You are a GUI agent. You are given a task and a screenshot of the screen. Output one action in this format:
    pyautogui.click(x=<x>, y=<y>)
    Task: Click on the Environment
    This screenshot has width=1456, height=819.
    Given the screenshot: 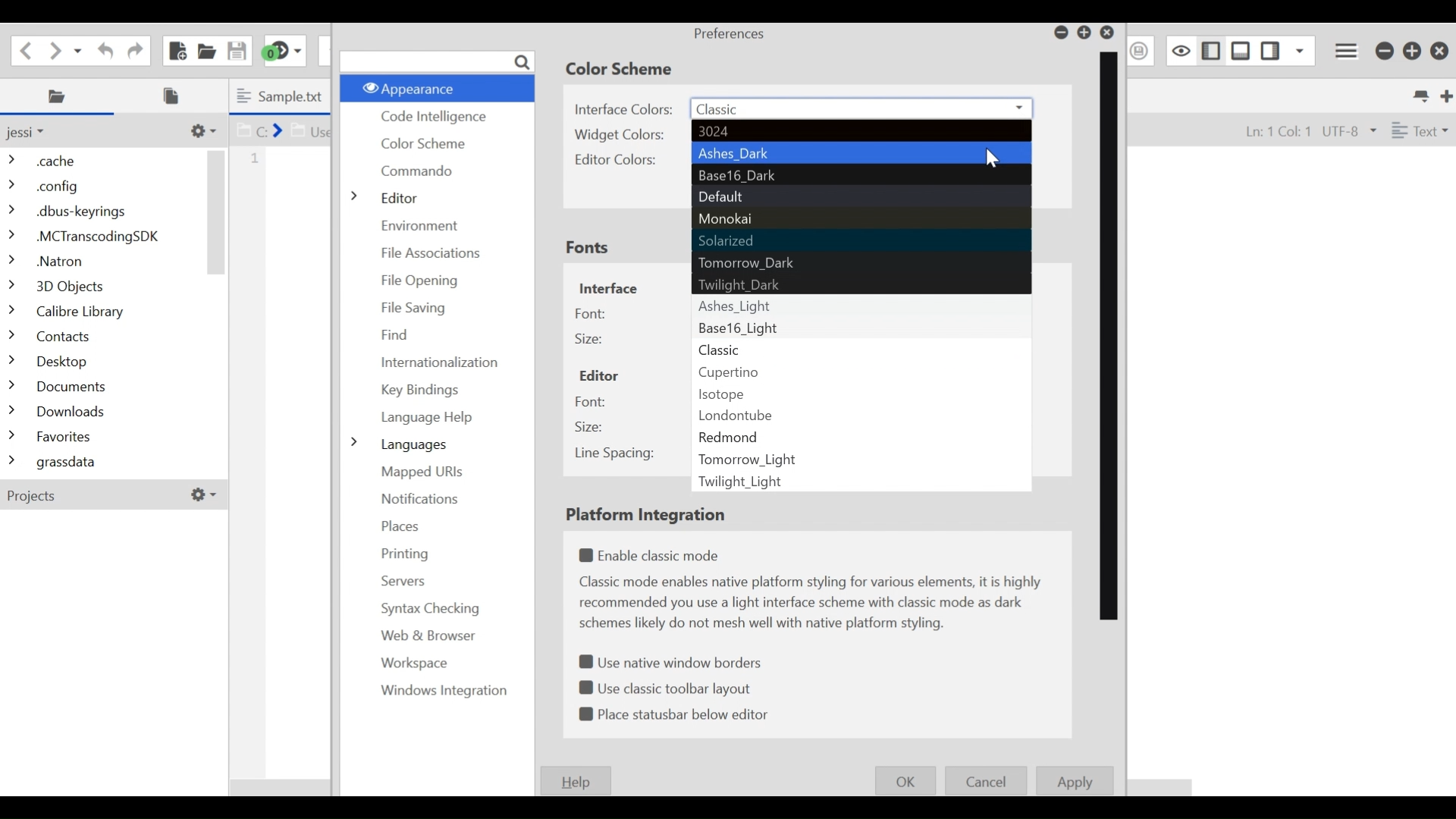 What is the action you would take?
    pyautogui.click(x=425, y=224)
    